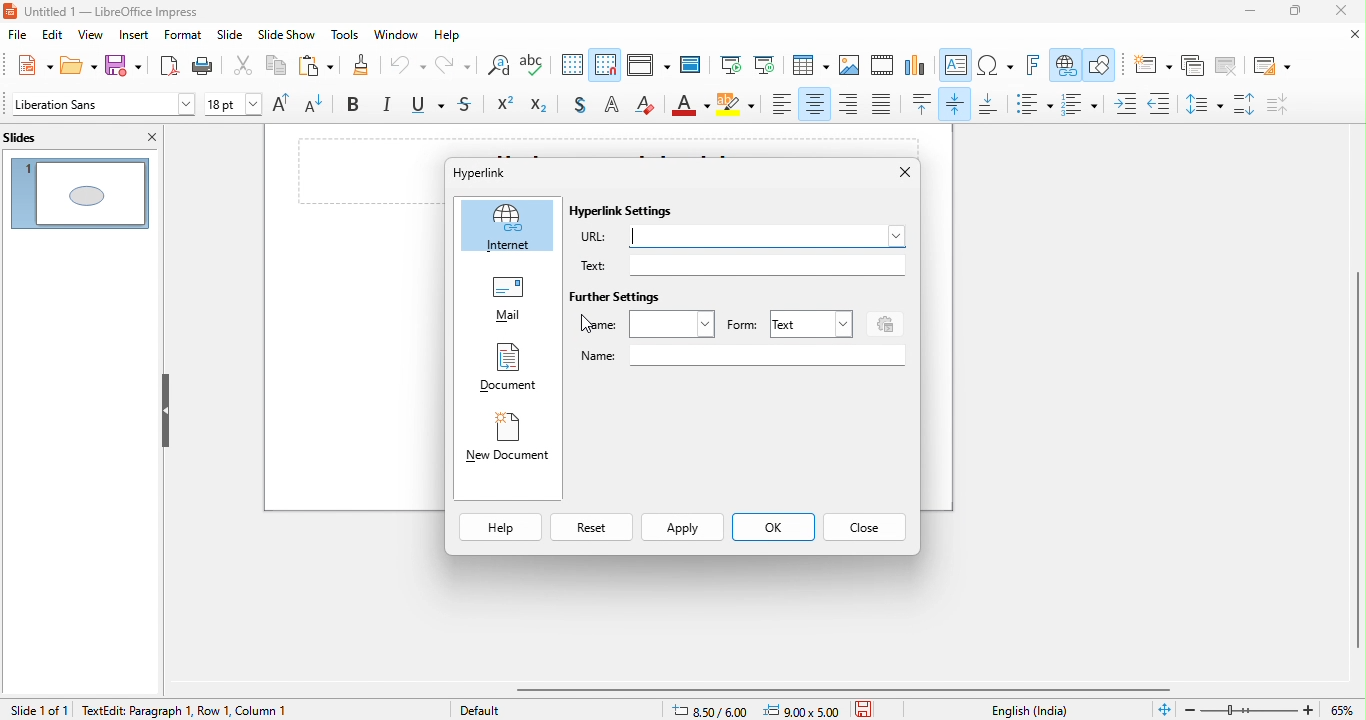  Describe the element at coordinates (430, 107) in the screenshot. I see `underline` at that location.